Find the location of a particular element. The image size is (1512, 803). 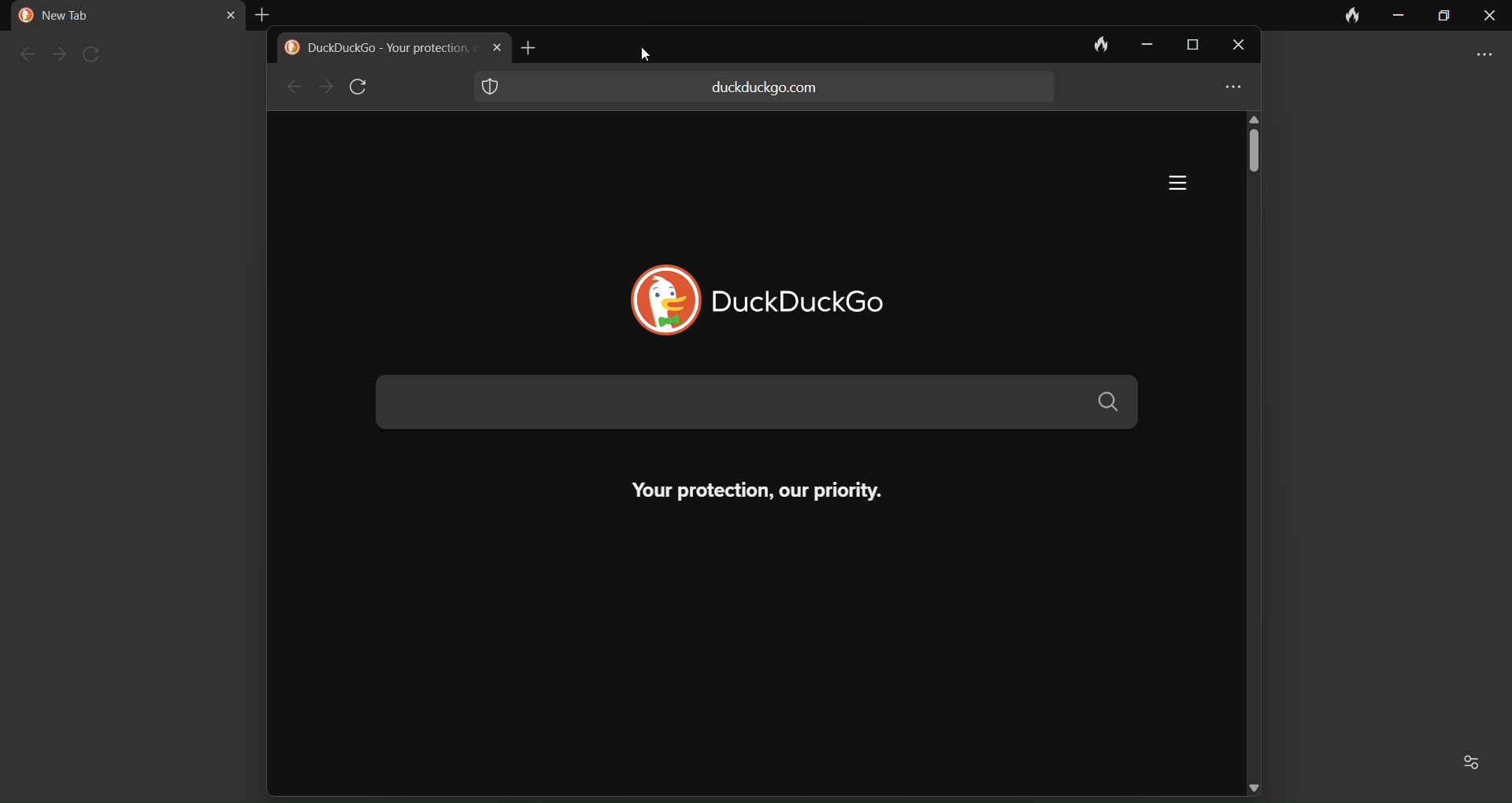

setting is located at coordinates (1475, 762).